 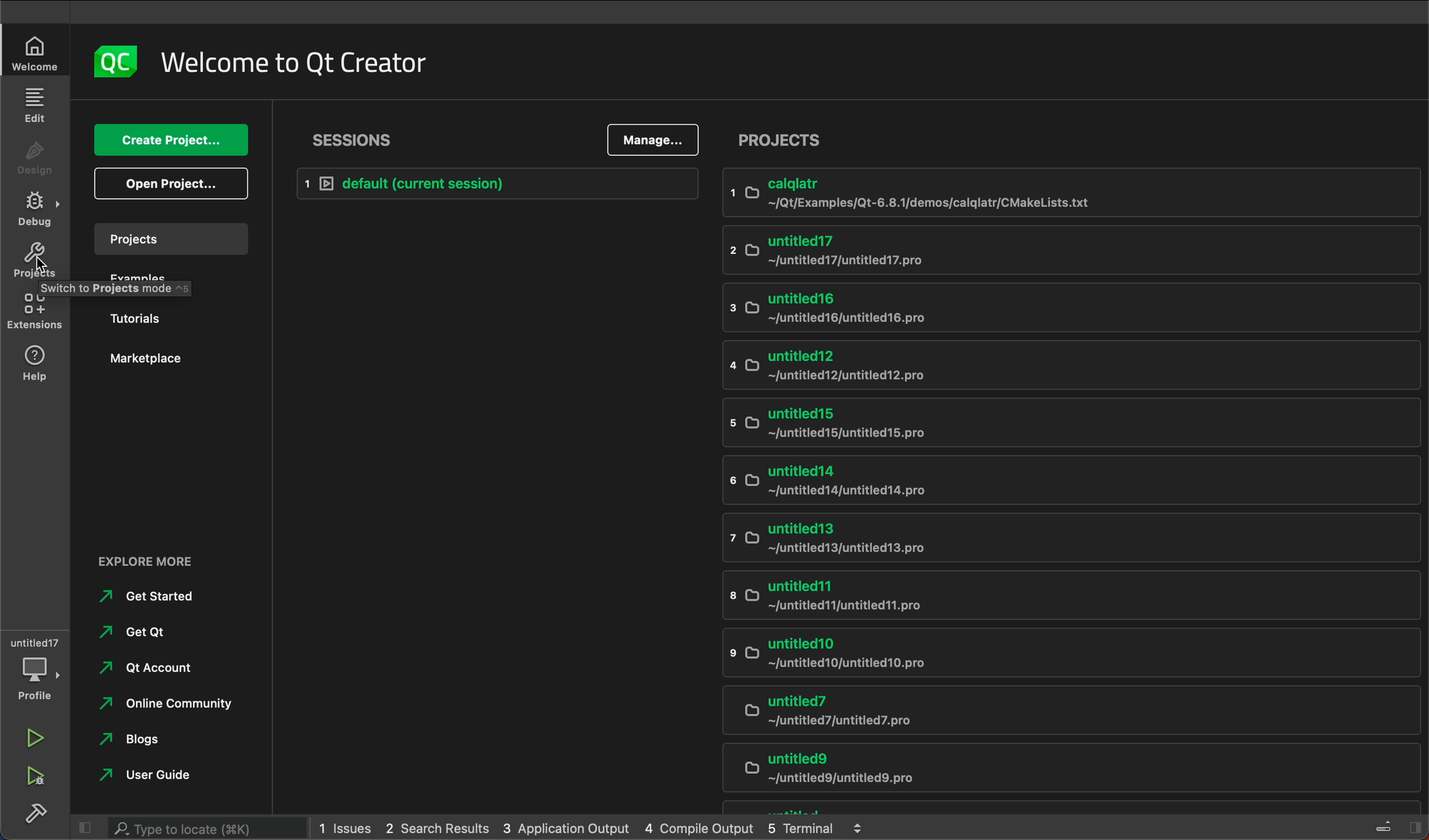 What do you see at coordinates (188, 829) in the screenshot?
I see `search` at bounding box center [188, 829].